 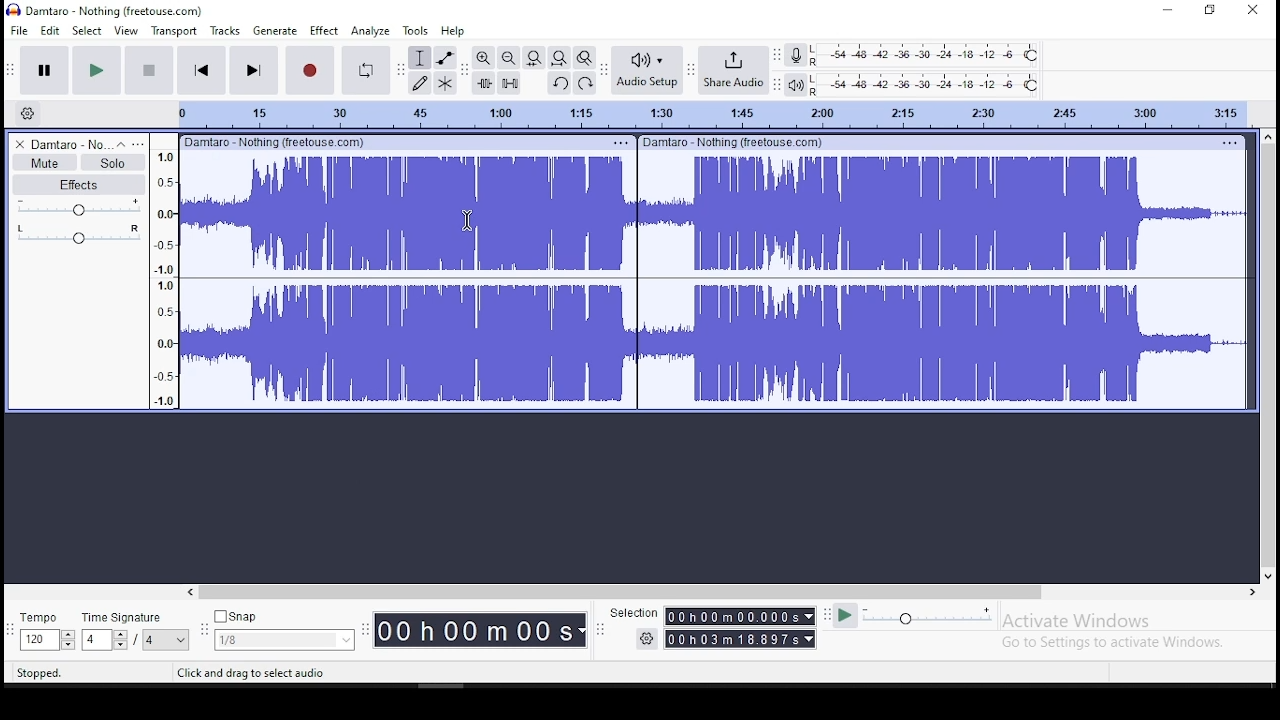 What do you see at coordinates (419, 58) in the screenshot?
I see `selection tool` at bounding box center [419, 58].